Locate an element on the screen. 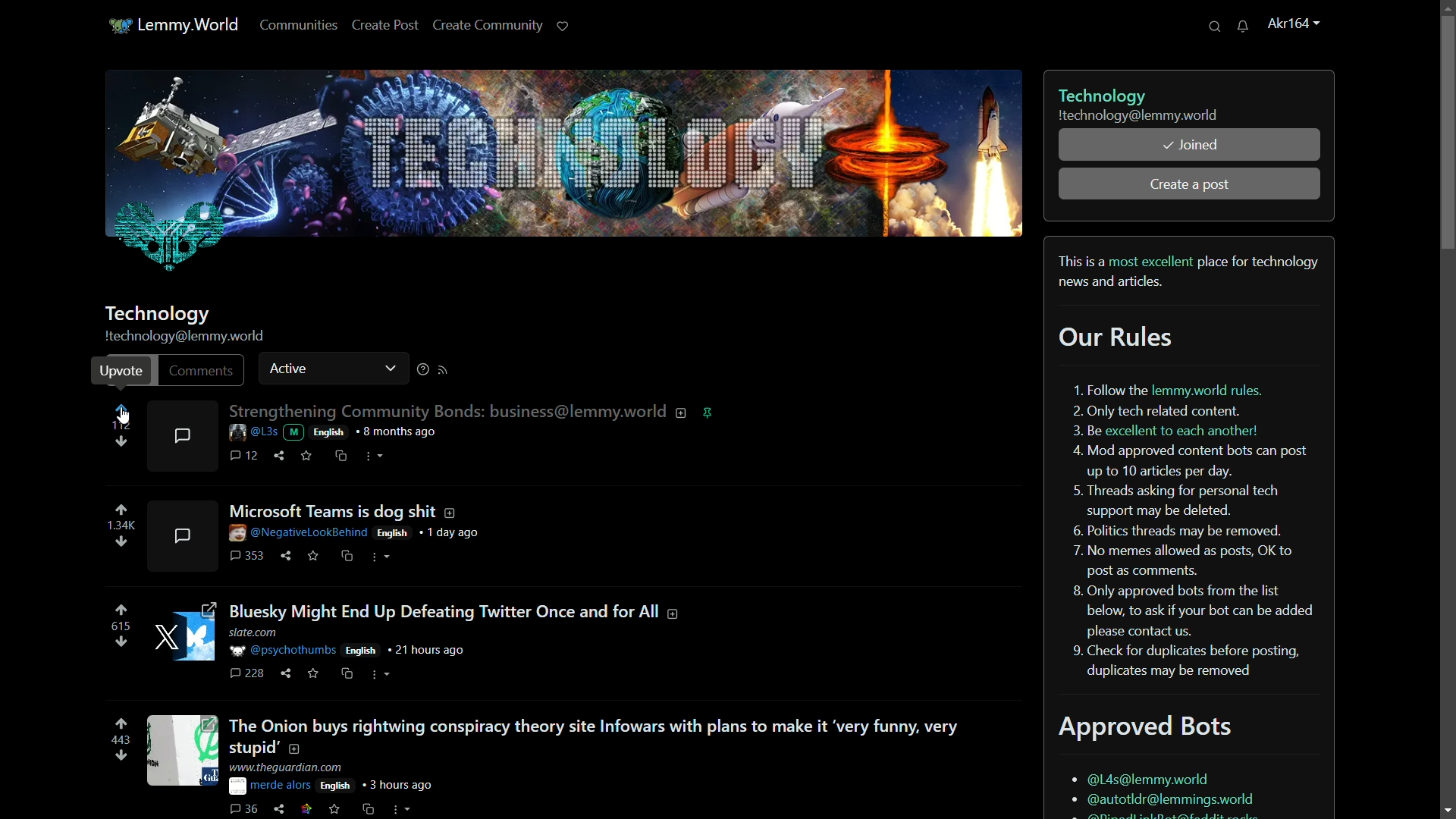  post details is located at coordinates (356, 643).